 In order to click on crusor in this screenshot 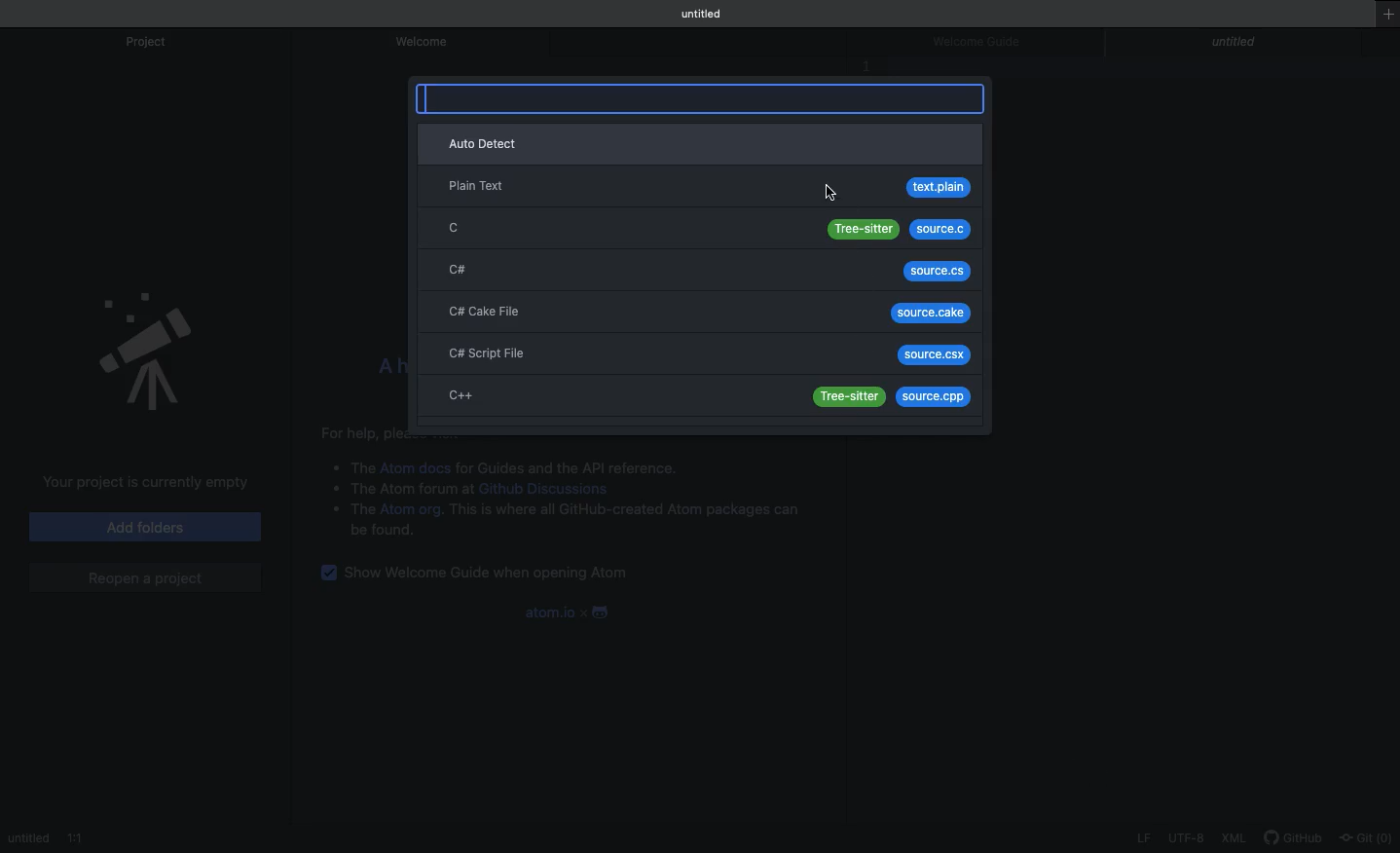, I will do `click(832, 191)`.